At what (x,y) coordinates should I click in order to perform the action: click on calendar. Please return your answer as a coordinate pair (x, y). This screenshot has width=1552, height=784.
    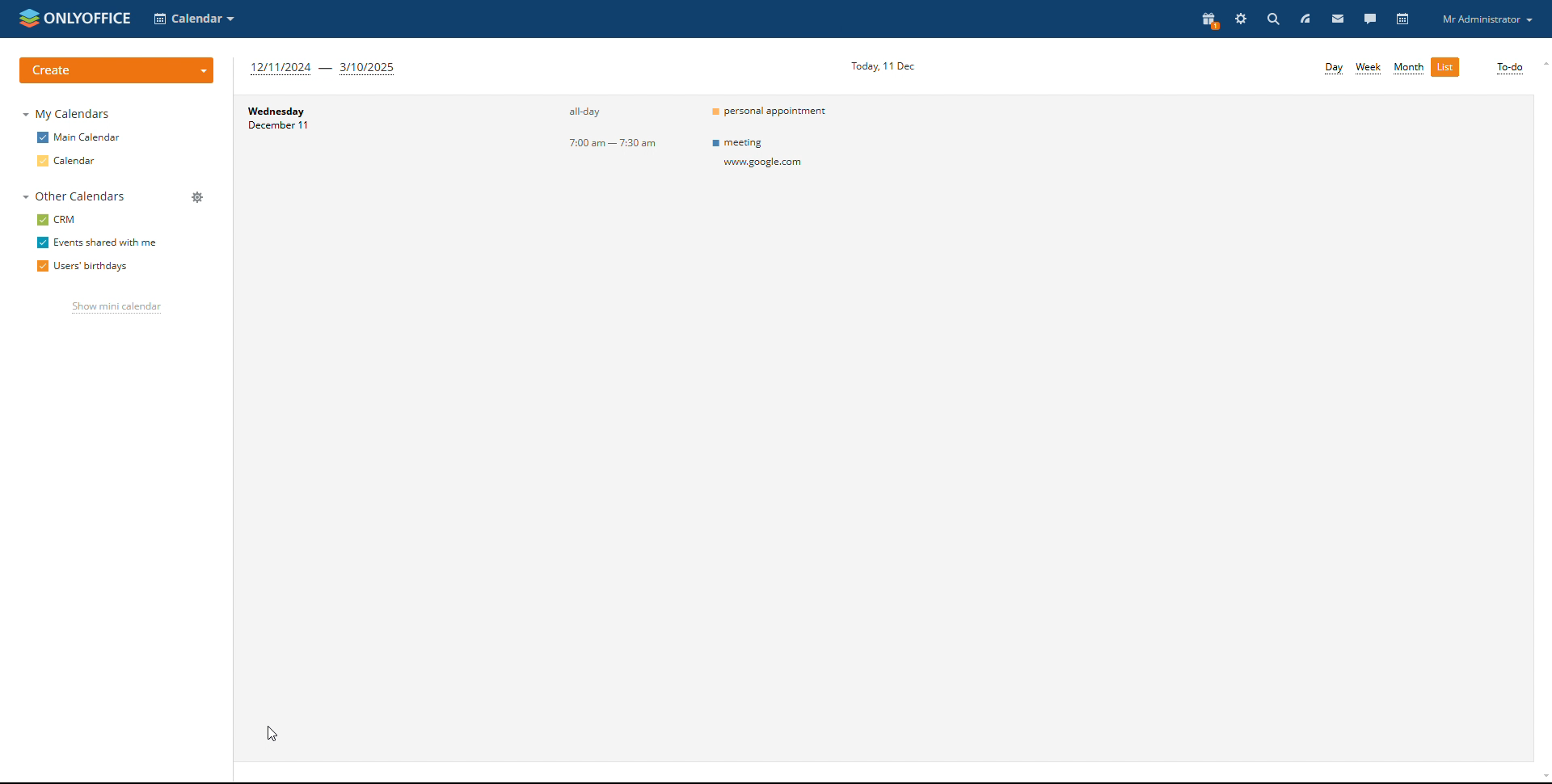
    Looking at the image, I should click on (1404, 19).